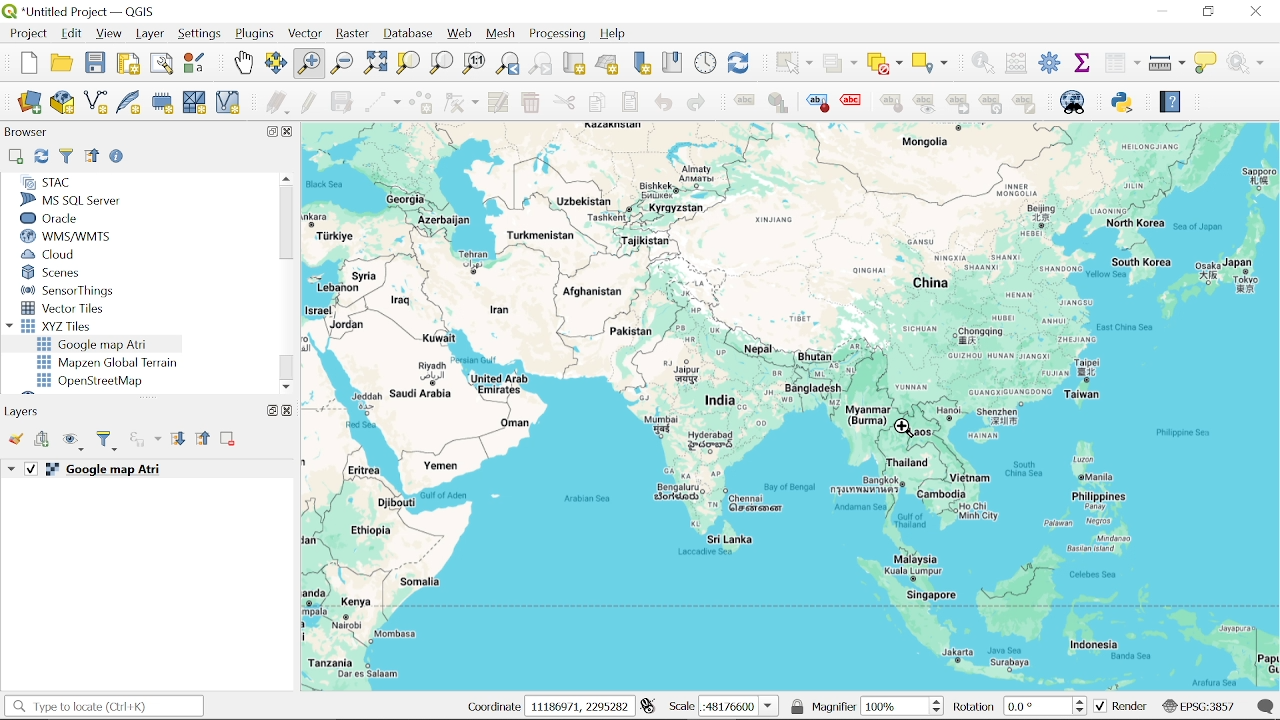  Describe the element at coordinates (607, 65) in the screenshot. I see `New 3d map view` at that location.